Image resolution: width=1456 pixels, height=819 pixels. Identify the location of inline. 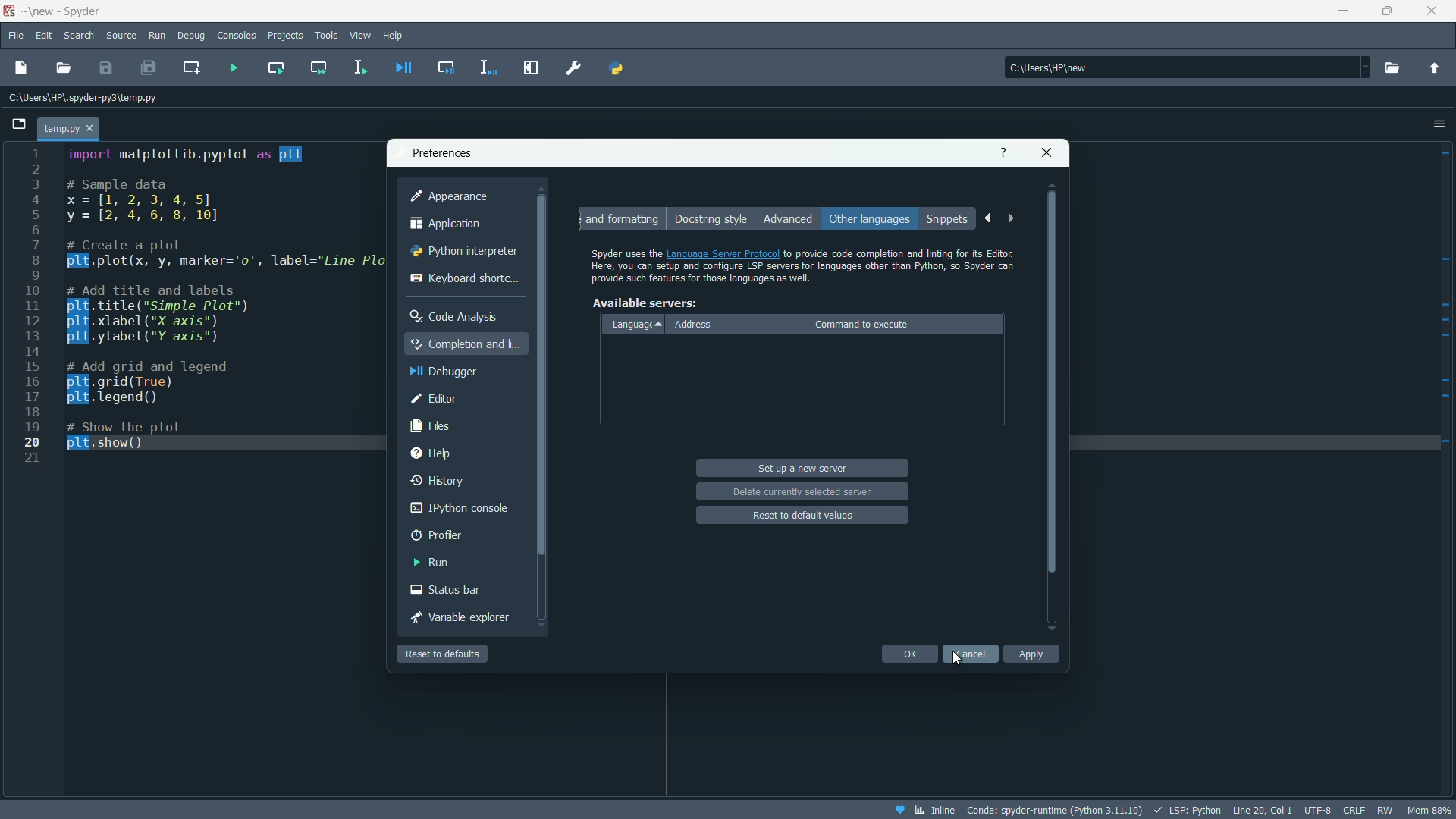
(923, 810).